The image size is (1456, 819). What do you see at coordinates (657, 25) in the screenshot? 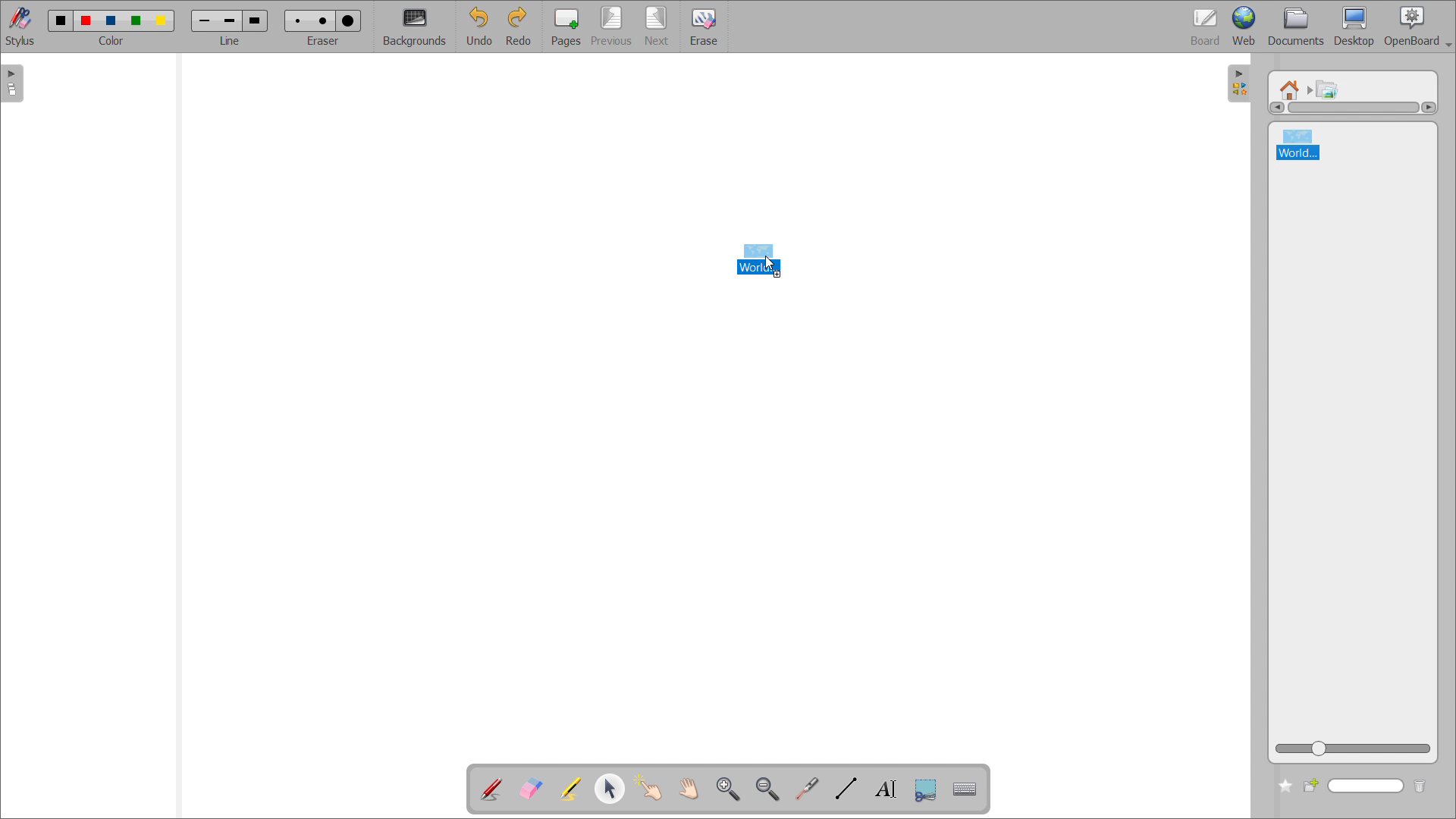
I see `next page` at bounding box center [657, 25].